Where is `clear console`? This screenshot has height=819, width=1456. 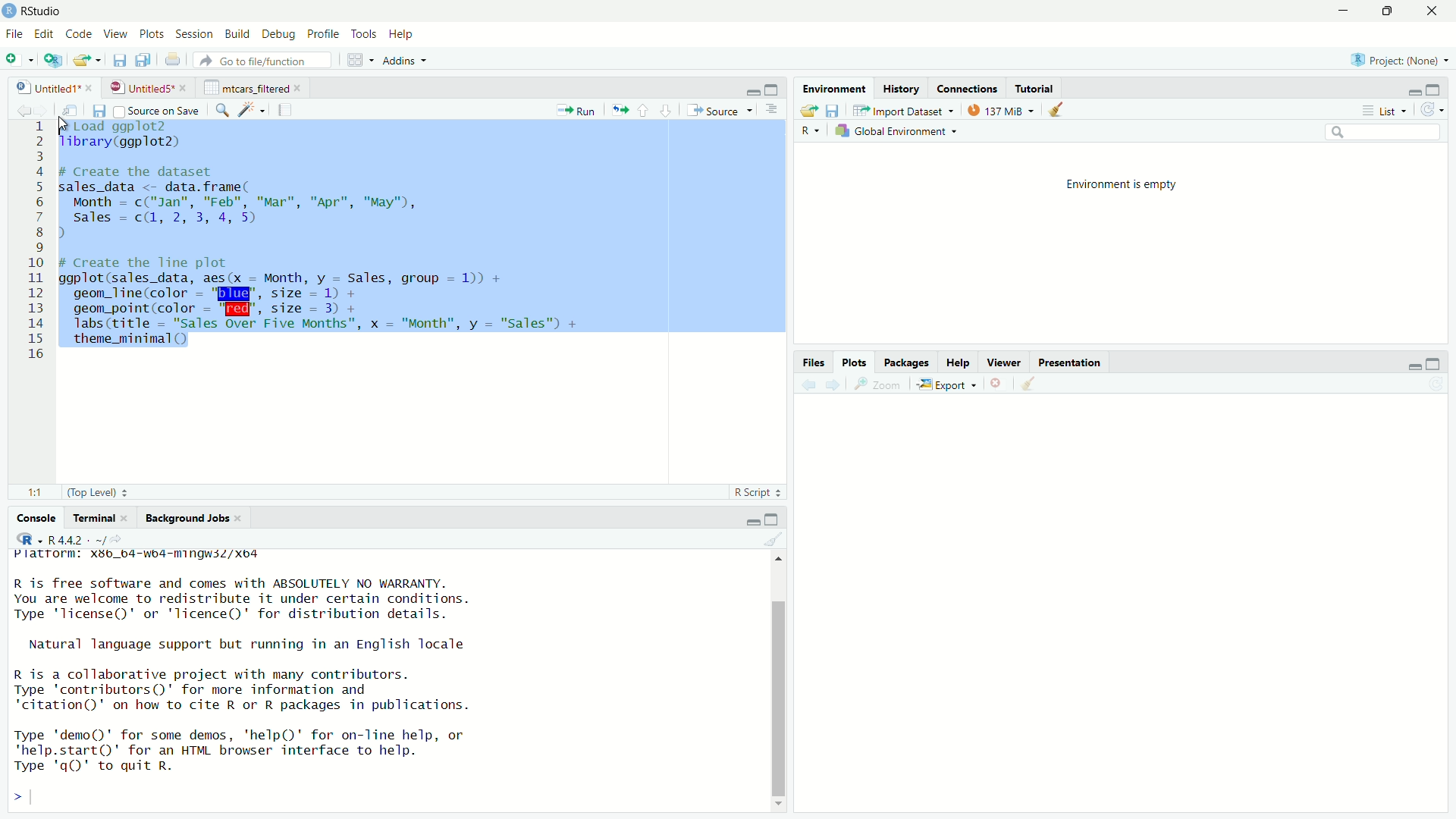
clear console is located at coordinates (773, 539).